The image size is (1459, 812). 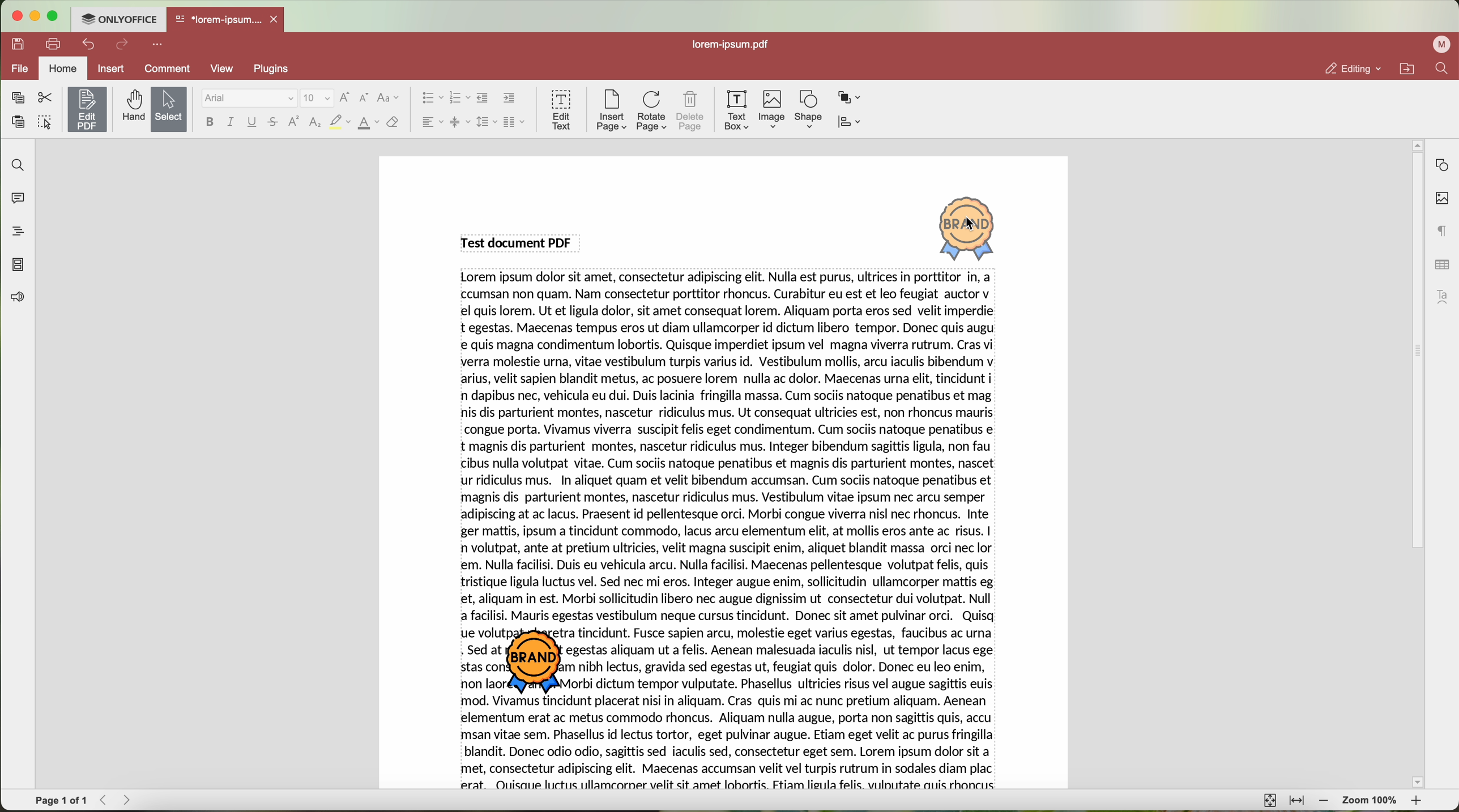 I want to click on open file location, so click(x=1410, y=69).